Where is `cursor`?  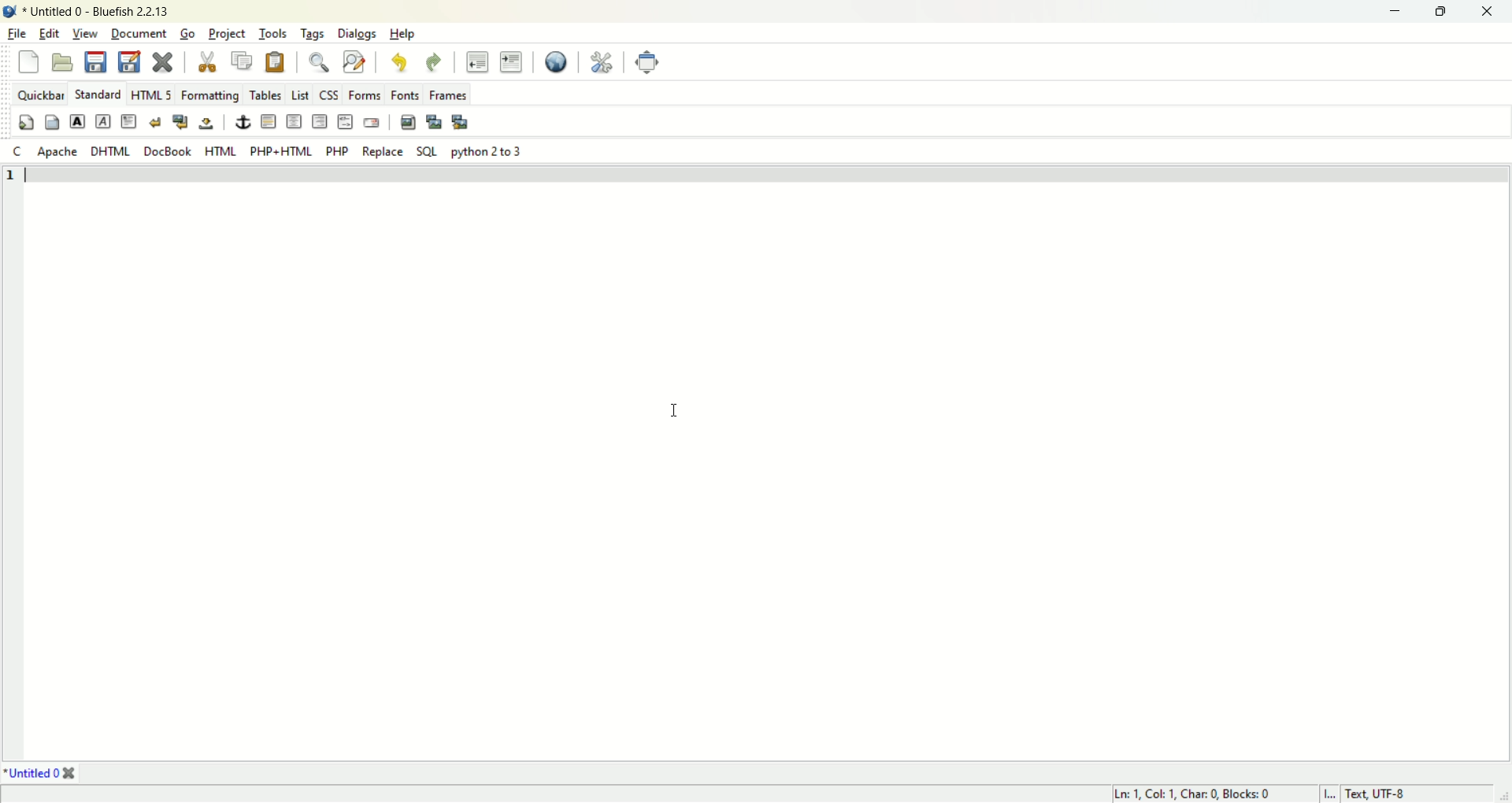
cursor is located at coordinates (675, 407).